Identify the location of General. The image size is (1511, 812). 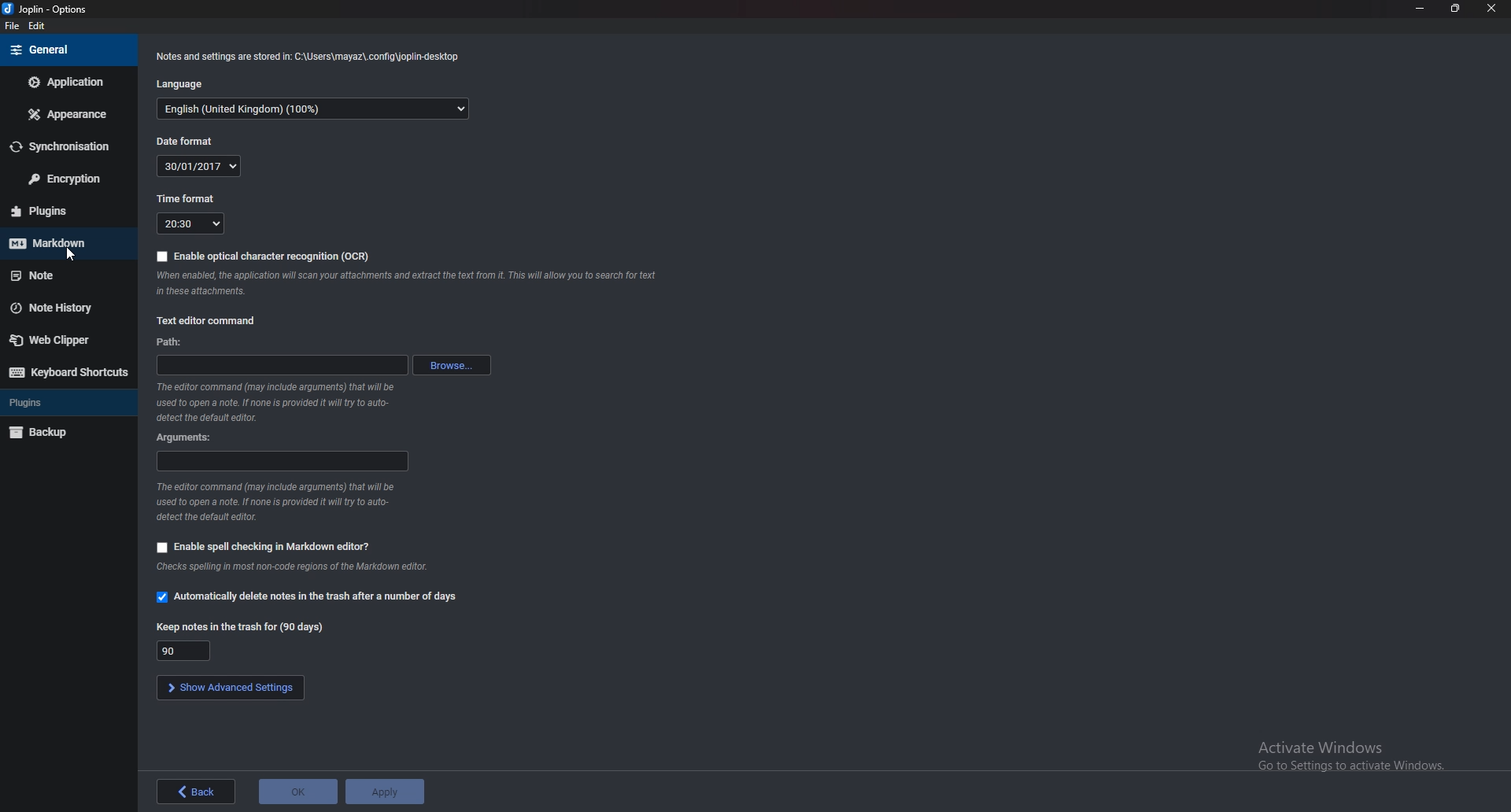
(68, 50).